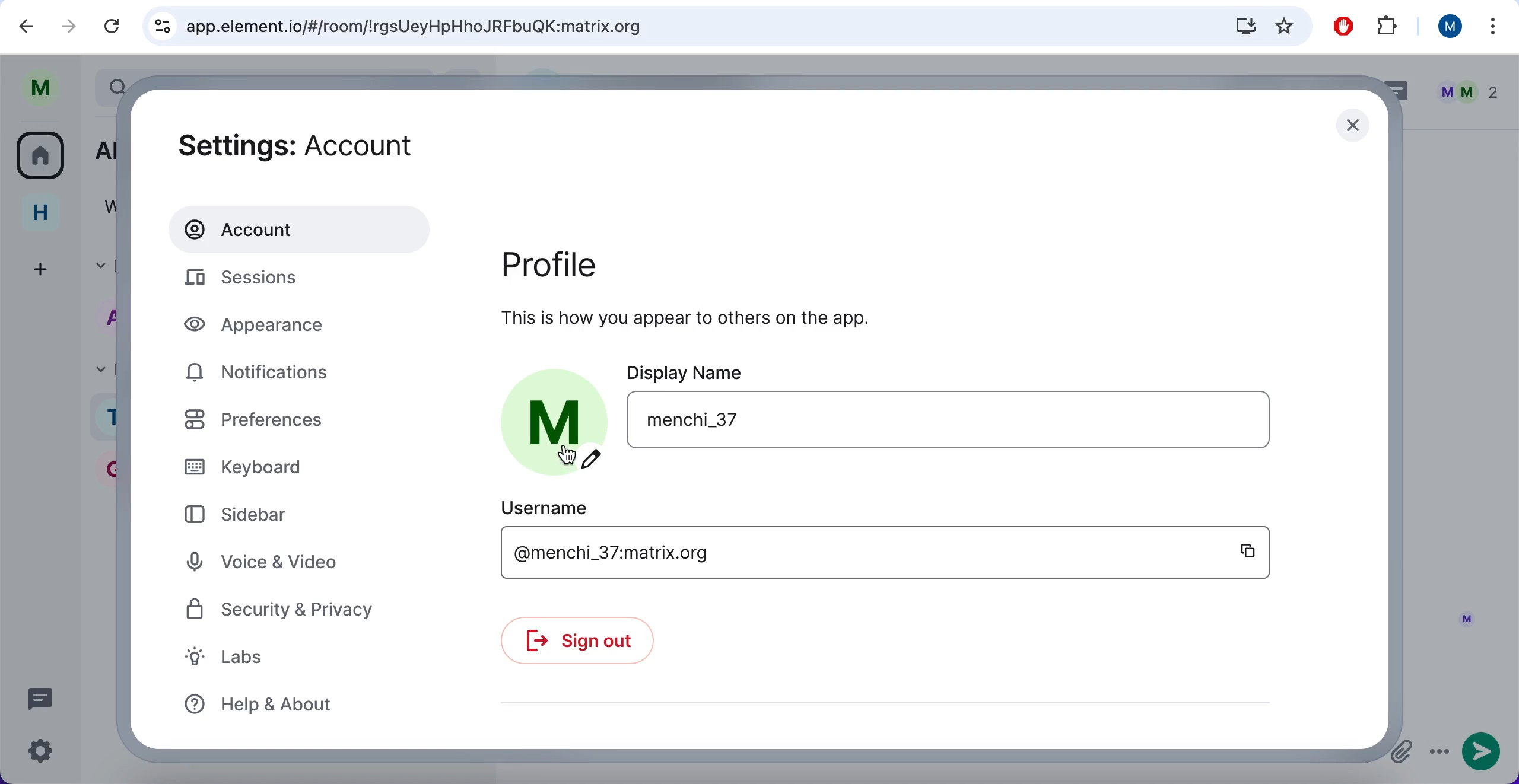 Image resolution: width=1519 pixels, height=784 pixels. What do you see at coordinates (39, 160) in the screenshot?
I see `all rooms` at bounding box center [39, 160].